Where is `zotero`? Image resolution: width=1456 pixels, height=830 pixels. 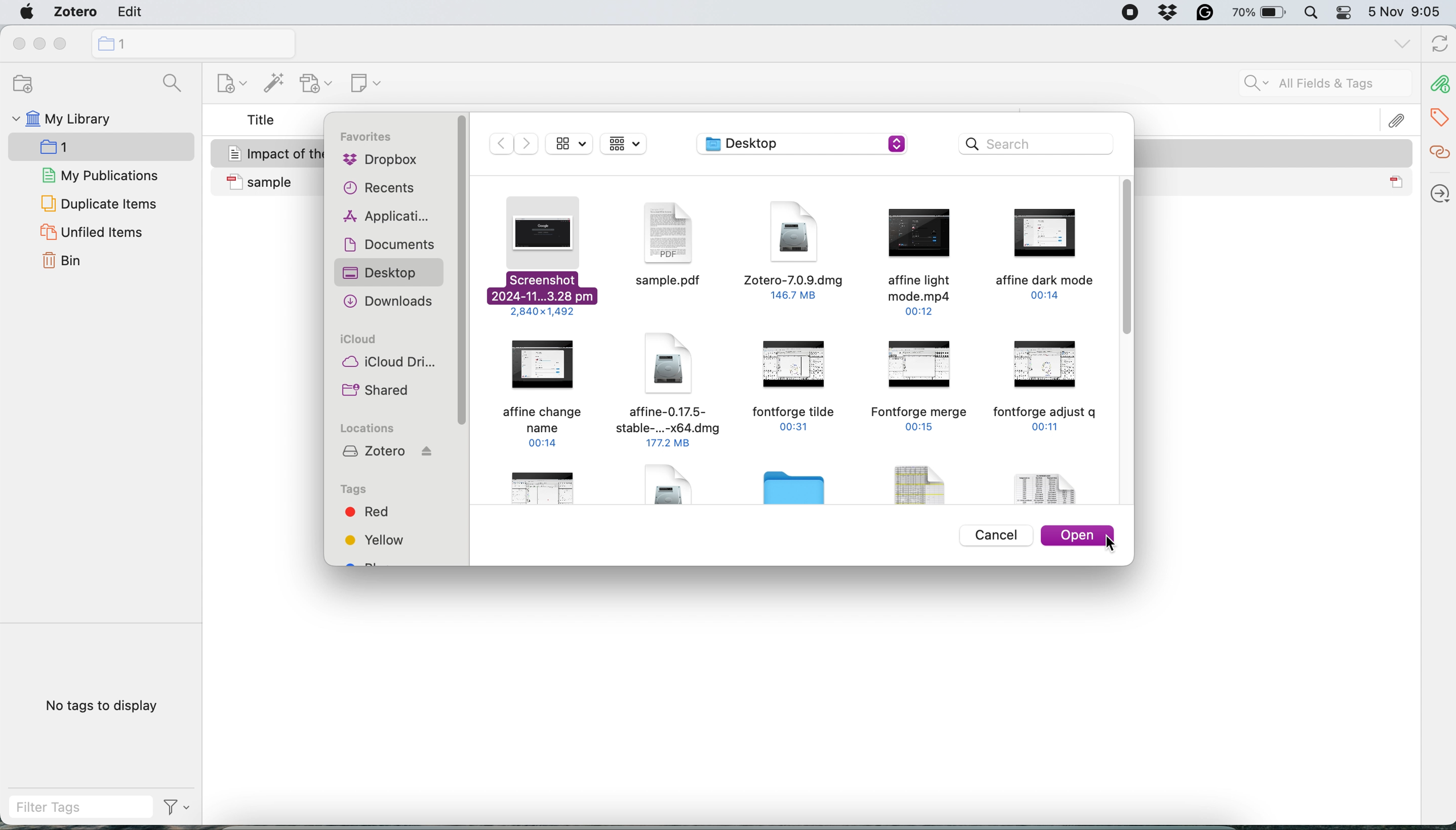
zotero is located at coordinates (387, 454).